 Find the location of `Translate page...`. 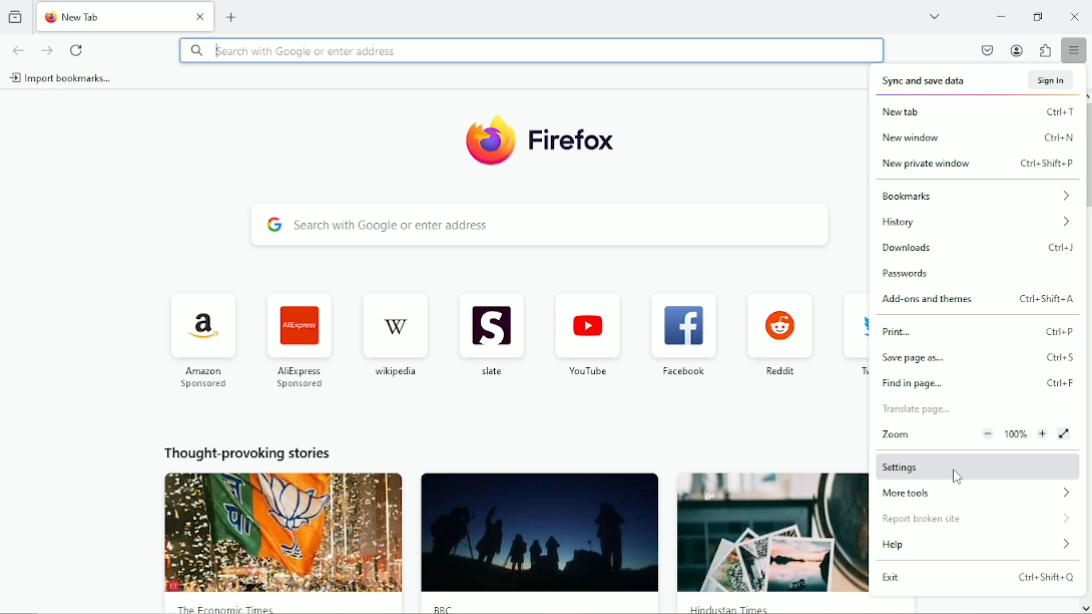

Translate page... is located at coordinates (976, 409).